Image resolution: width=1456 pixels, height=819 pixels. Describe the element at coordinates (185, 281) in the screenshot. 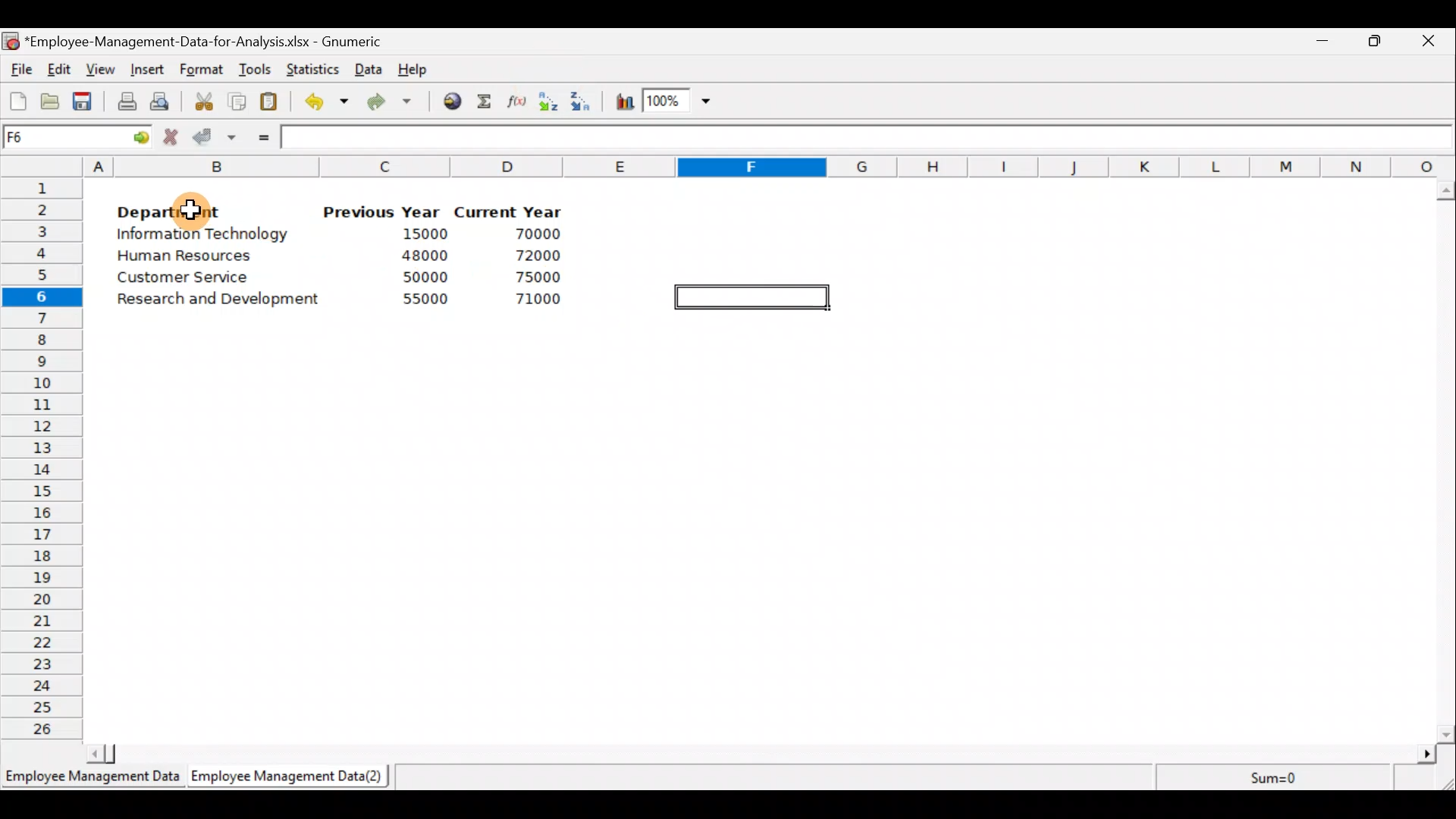

I see `Customer Service` at that location.